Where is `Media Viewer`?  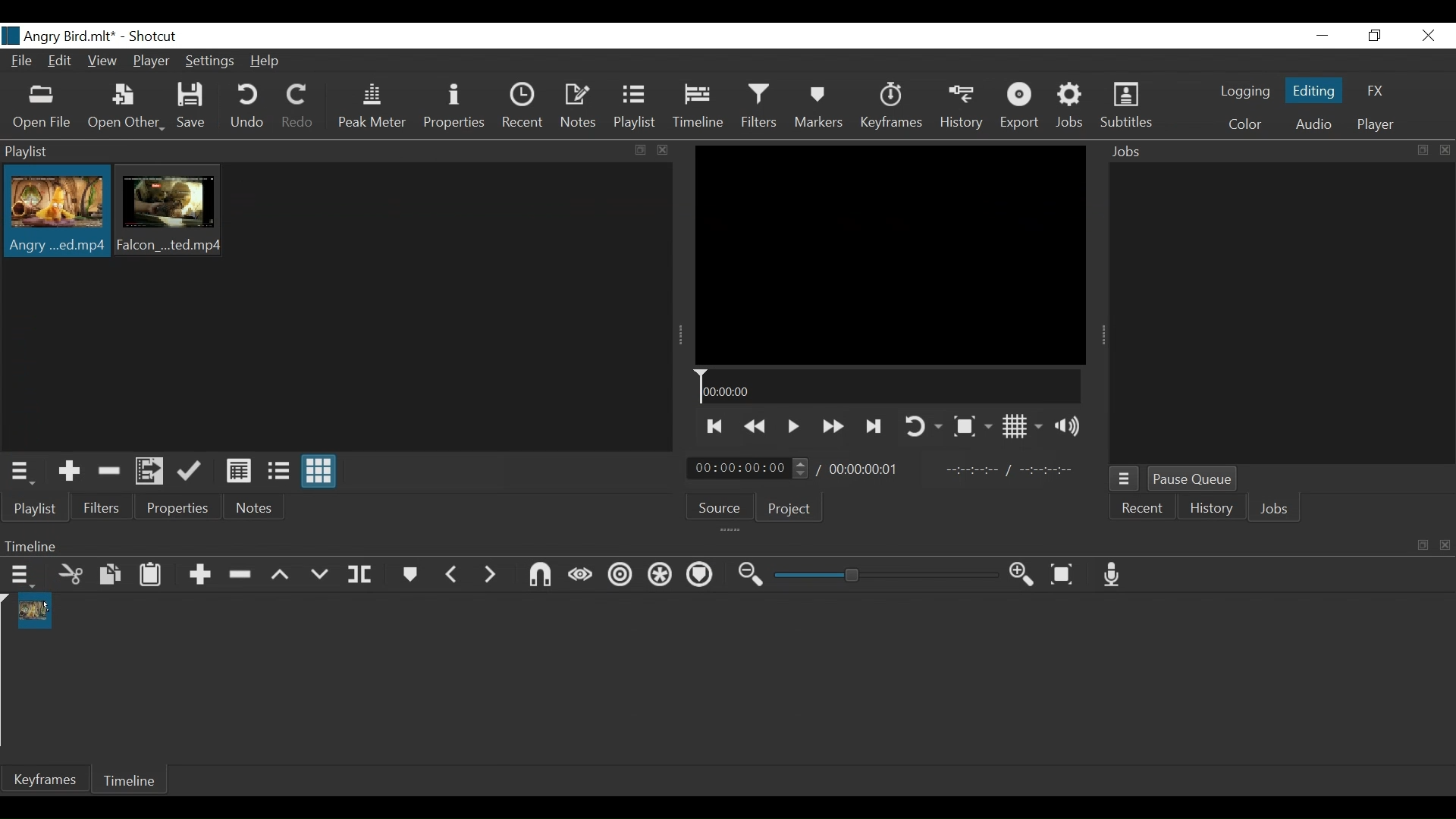
Media Viewer is located at coordinates (890, 255).